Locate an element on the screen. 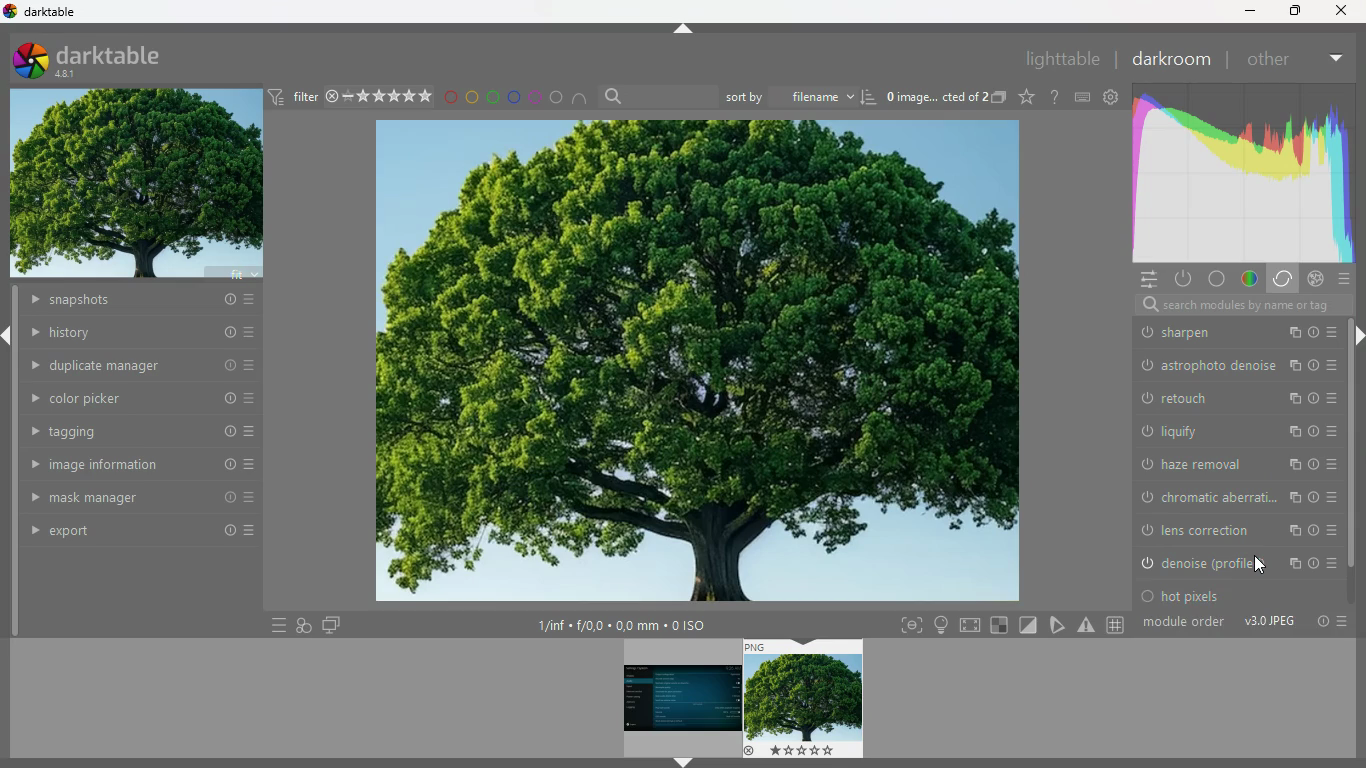 The image size is (1366, 768). filter is located at coordinates (295, 98).